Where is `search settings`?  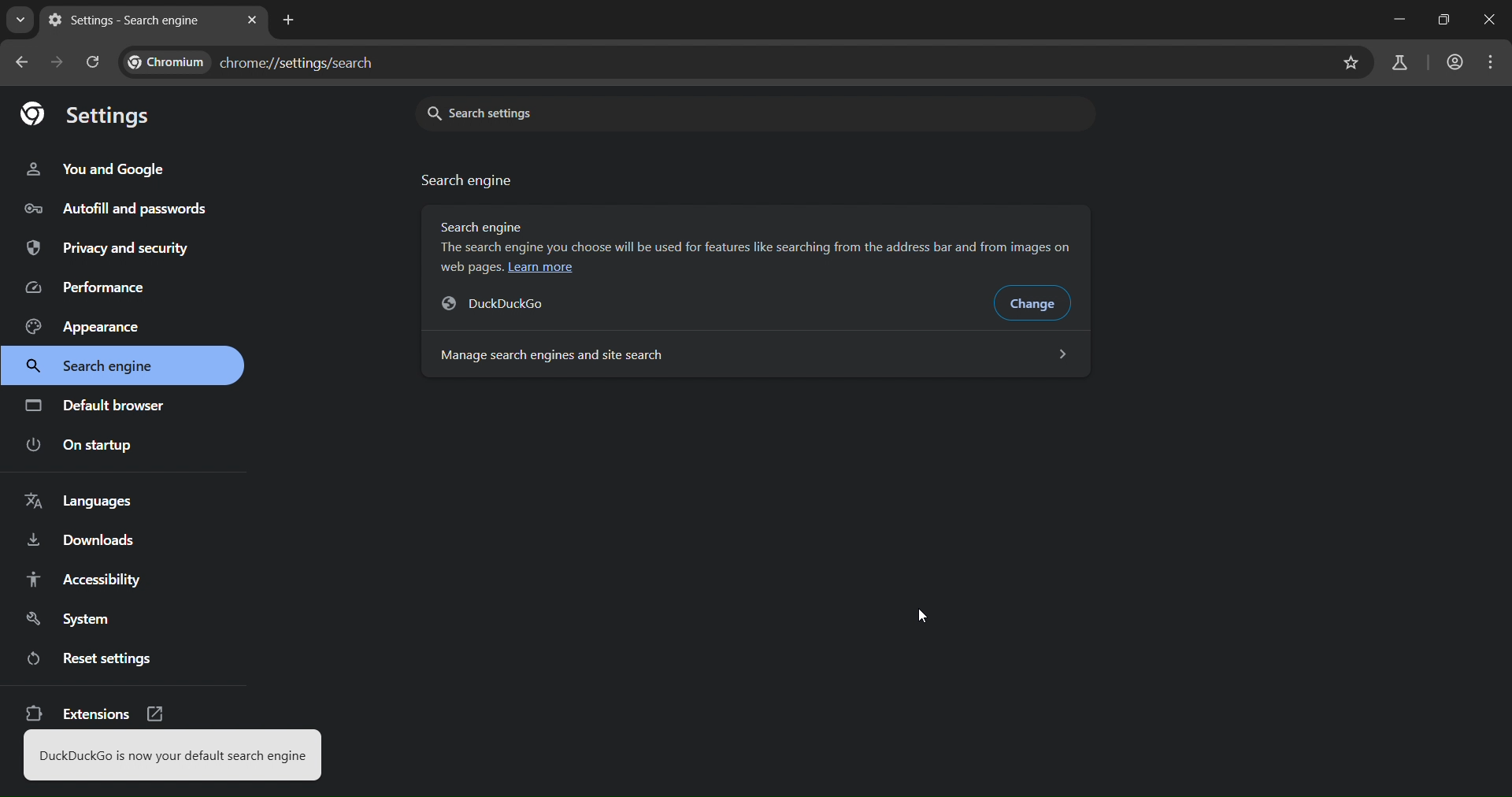
search settings is located at coordinates (606, 112).